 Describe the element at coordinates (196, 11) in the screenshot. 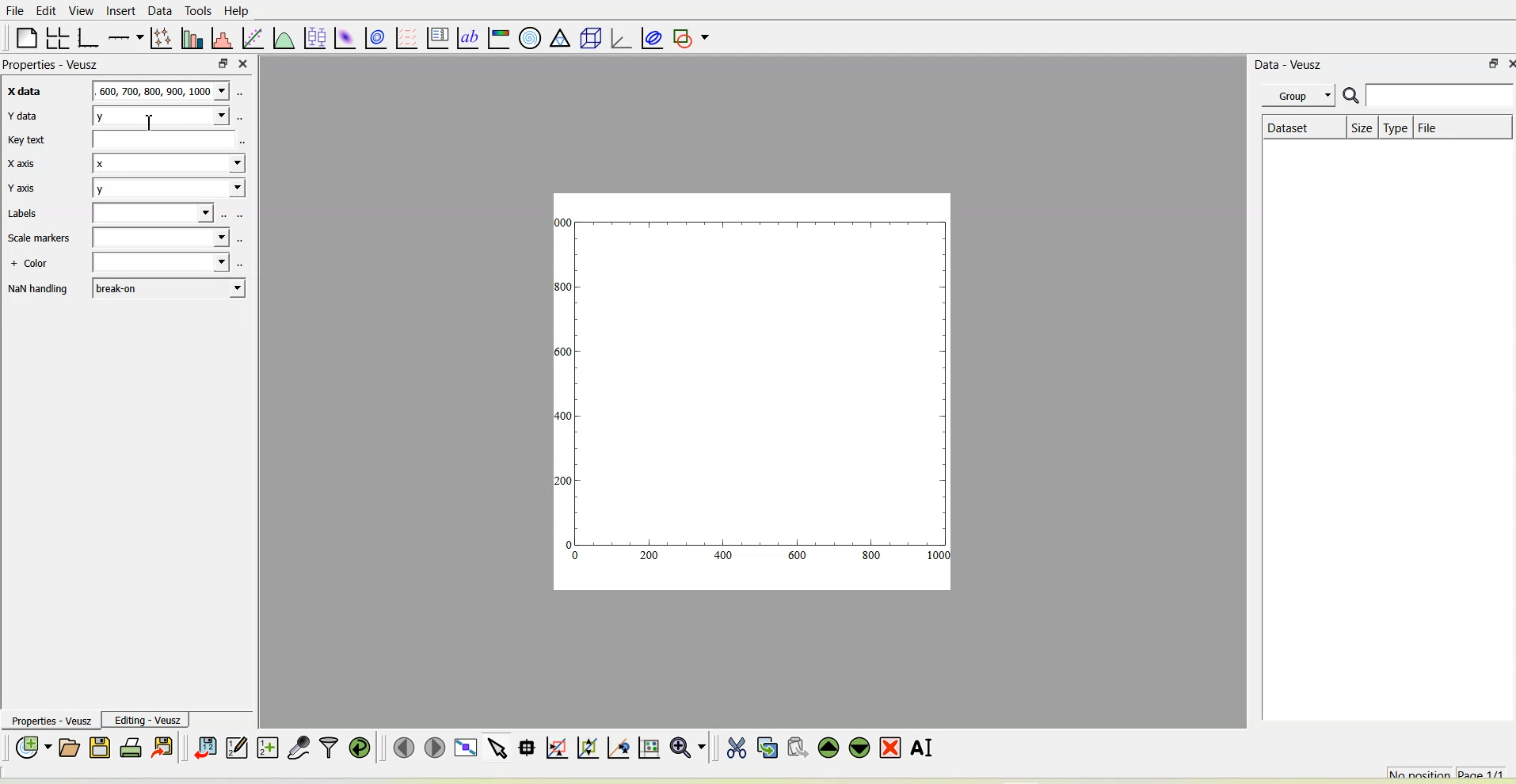

I see `Tools` at that location.